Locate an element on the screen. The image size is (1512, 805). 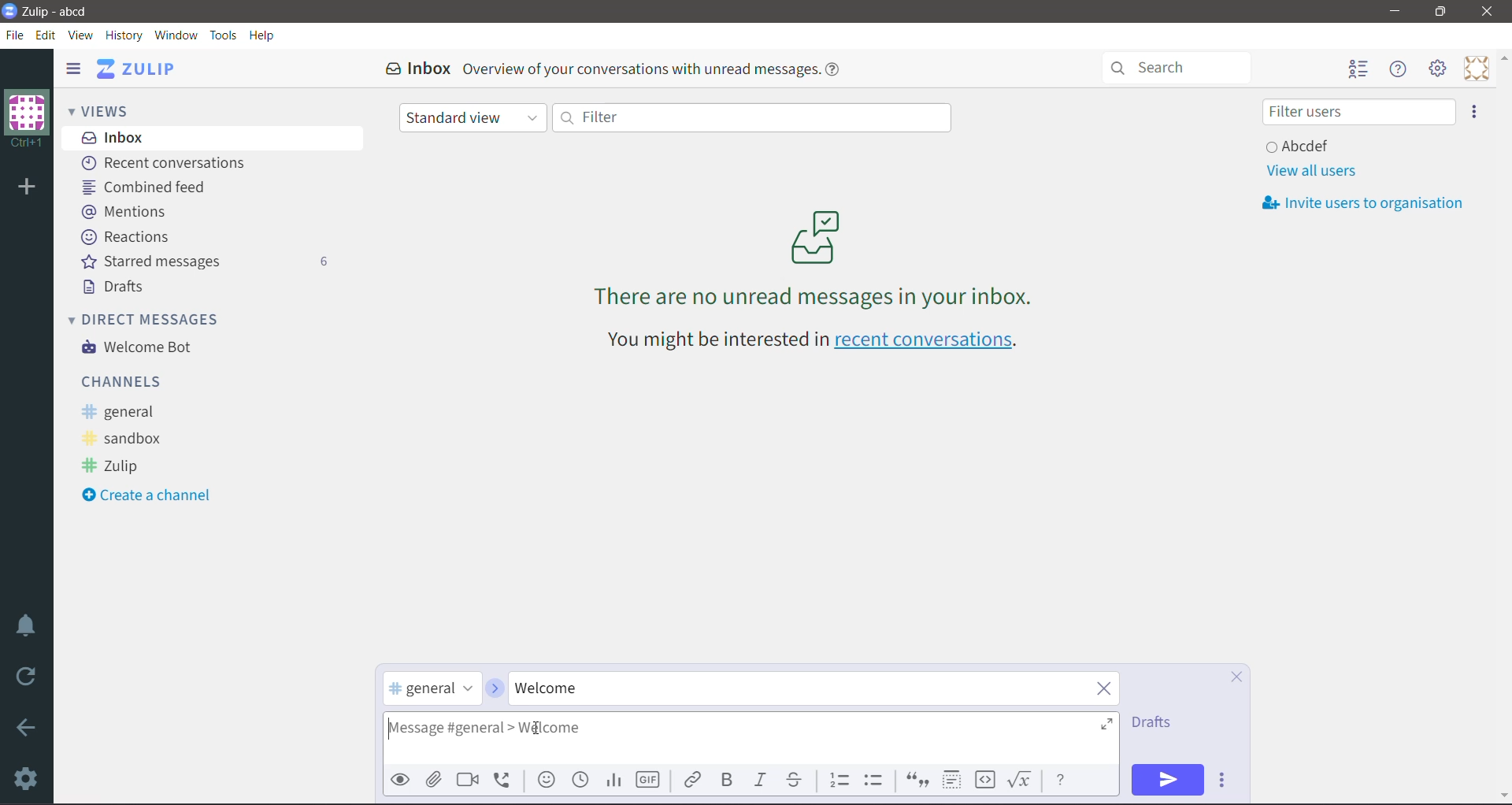
Personal Menu is located at coordinates (1477, 69).